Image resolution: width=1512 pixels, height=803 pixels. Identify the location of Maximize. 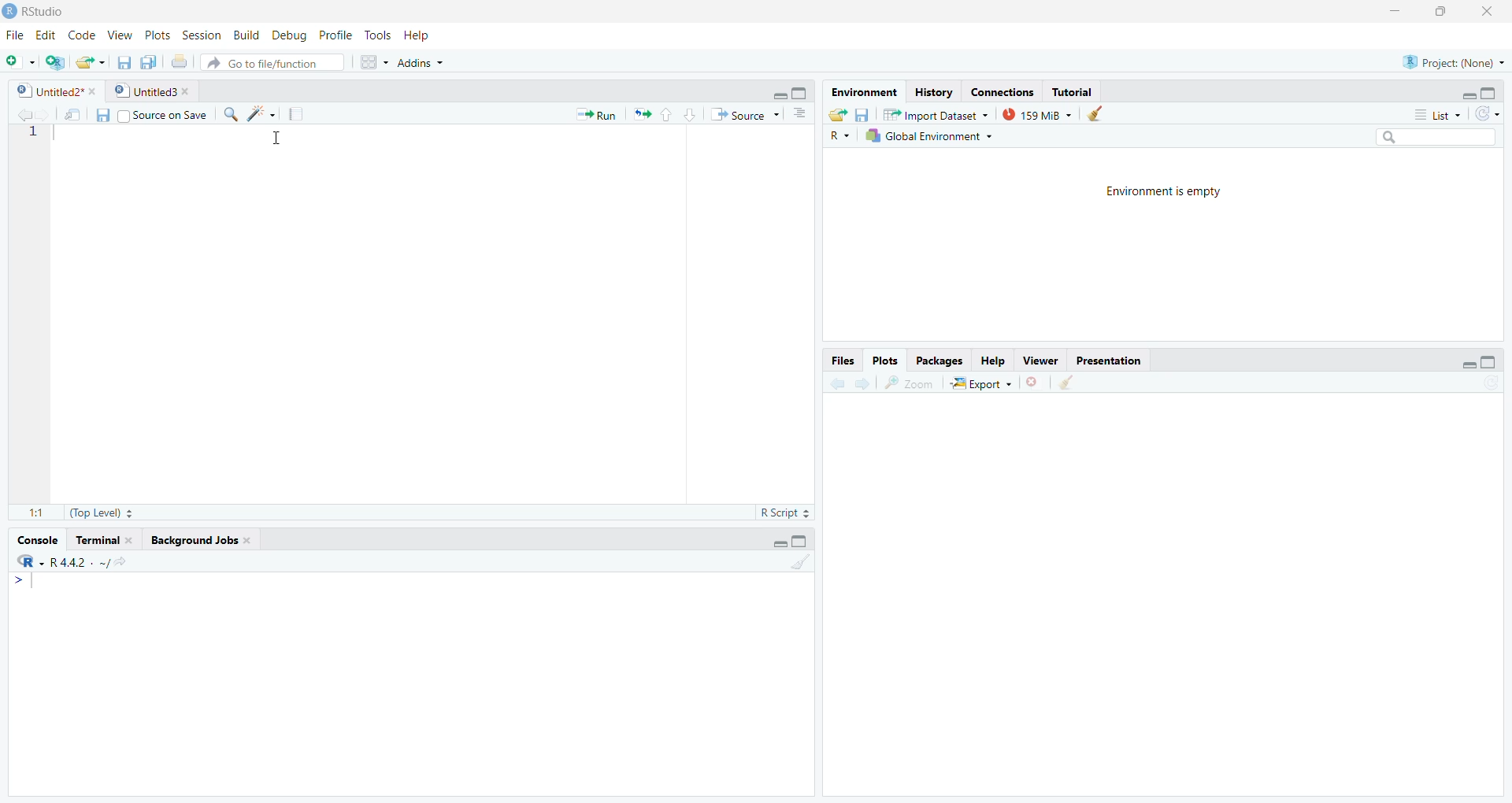
(802, 94).